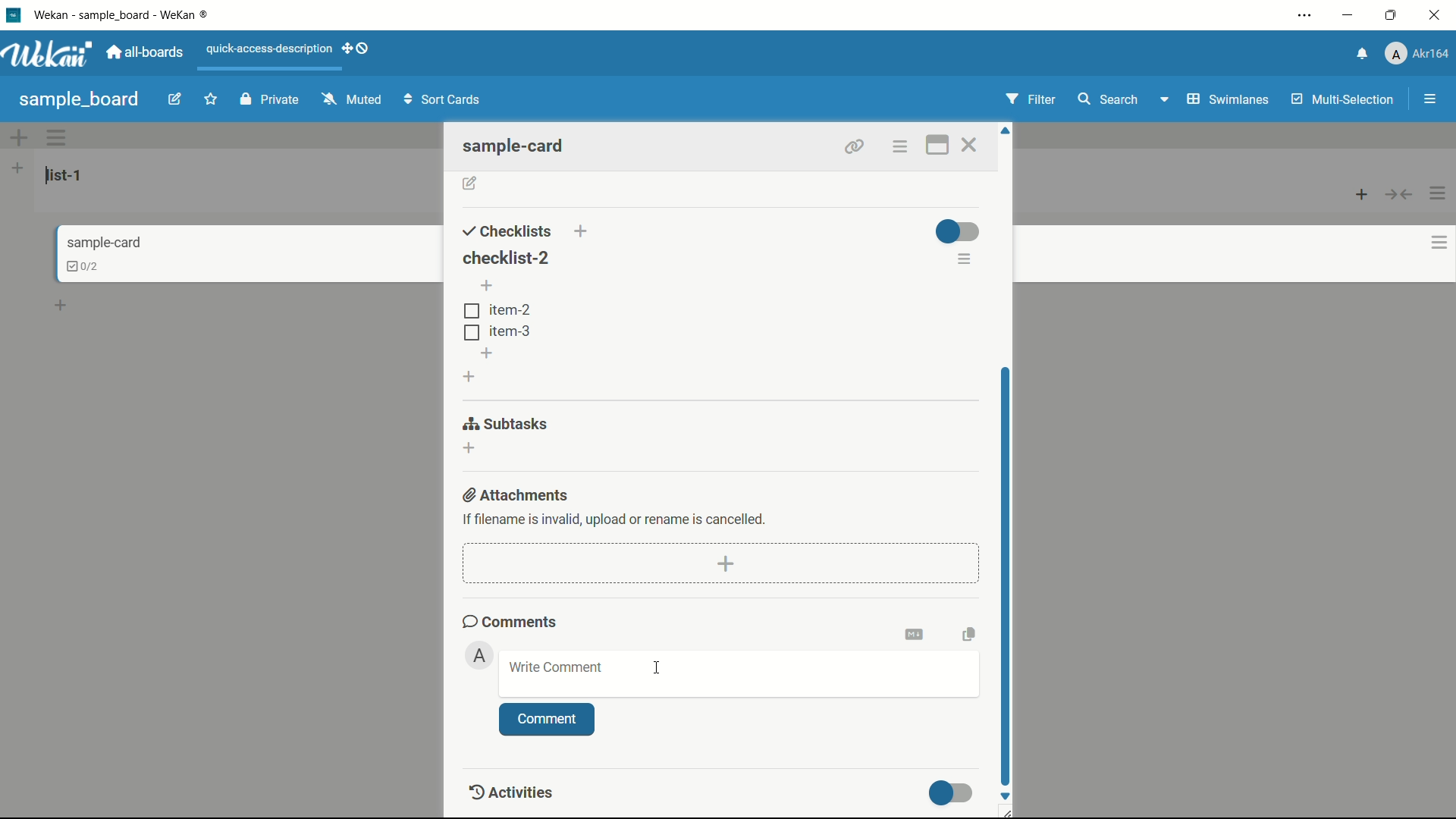 Image resolution: width=1456 pixels, height=819 pixels. Describe the element at coordinates (20, 137) in the screenshot. I see `add swimlane` at that location.